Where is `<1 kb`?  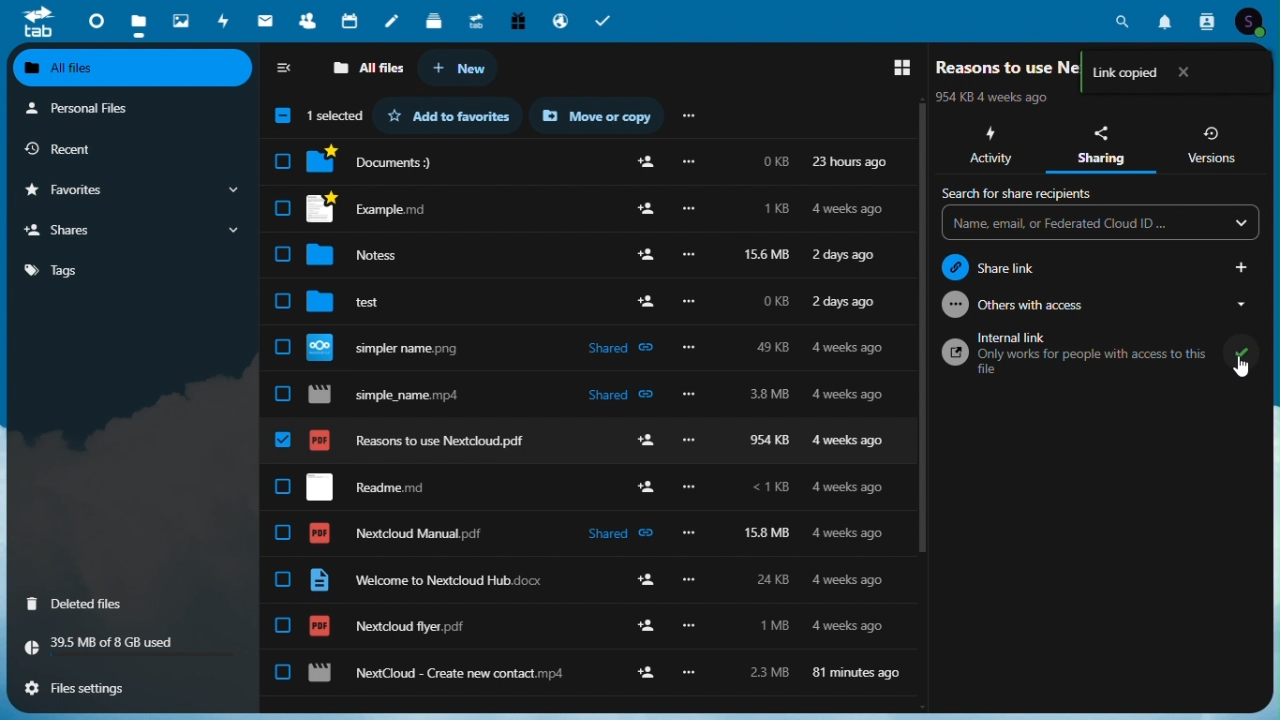 <1 kb is located at coordinates (772, 490).